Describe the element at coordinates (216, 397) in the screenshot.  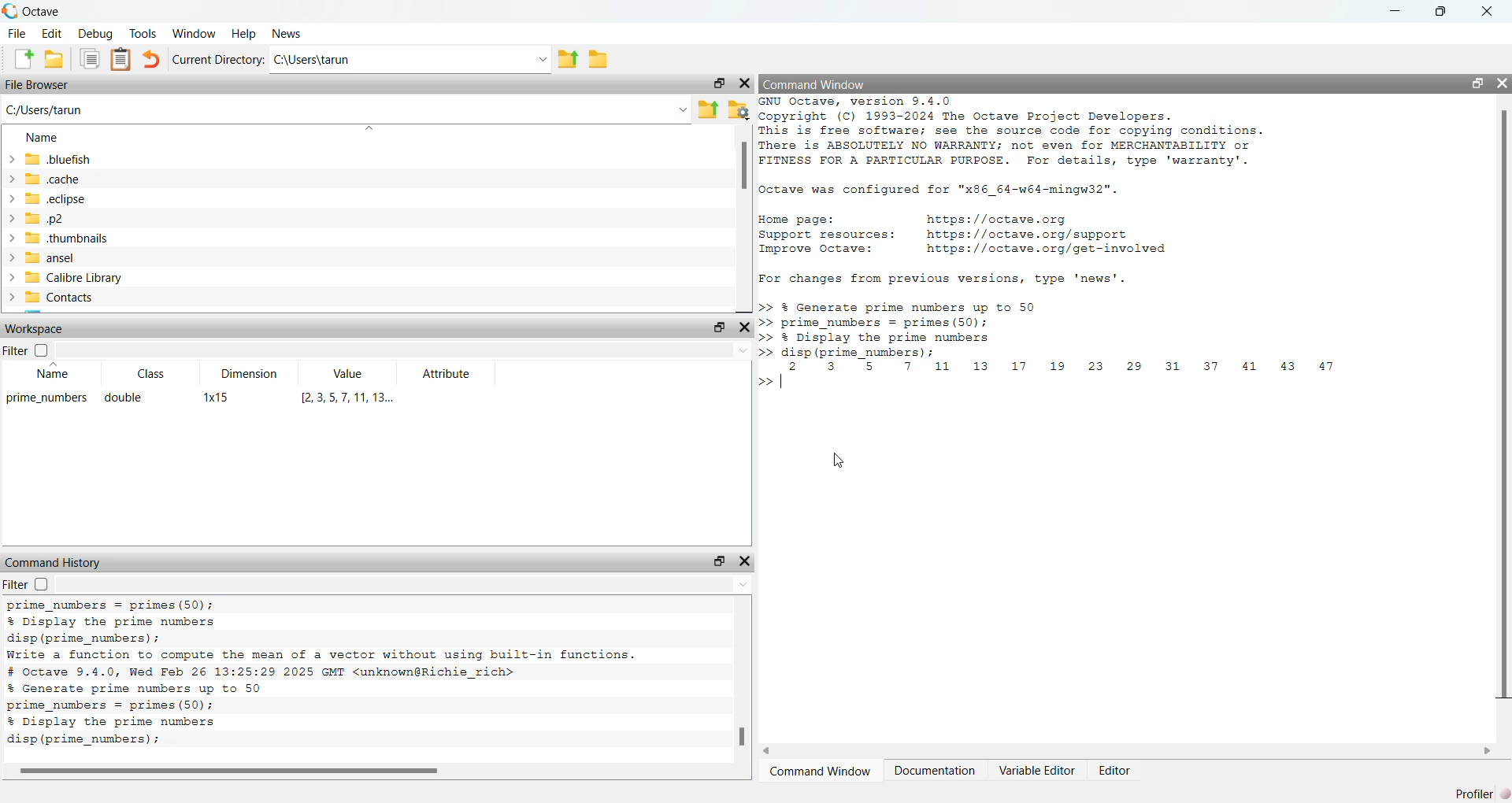
I see `1x15` at that location.